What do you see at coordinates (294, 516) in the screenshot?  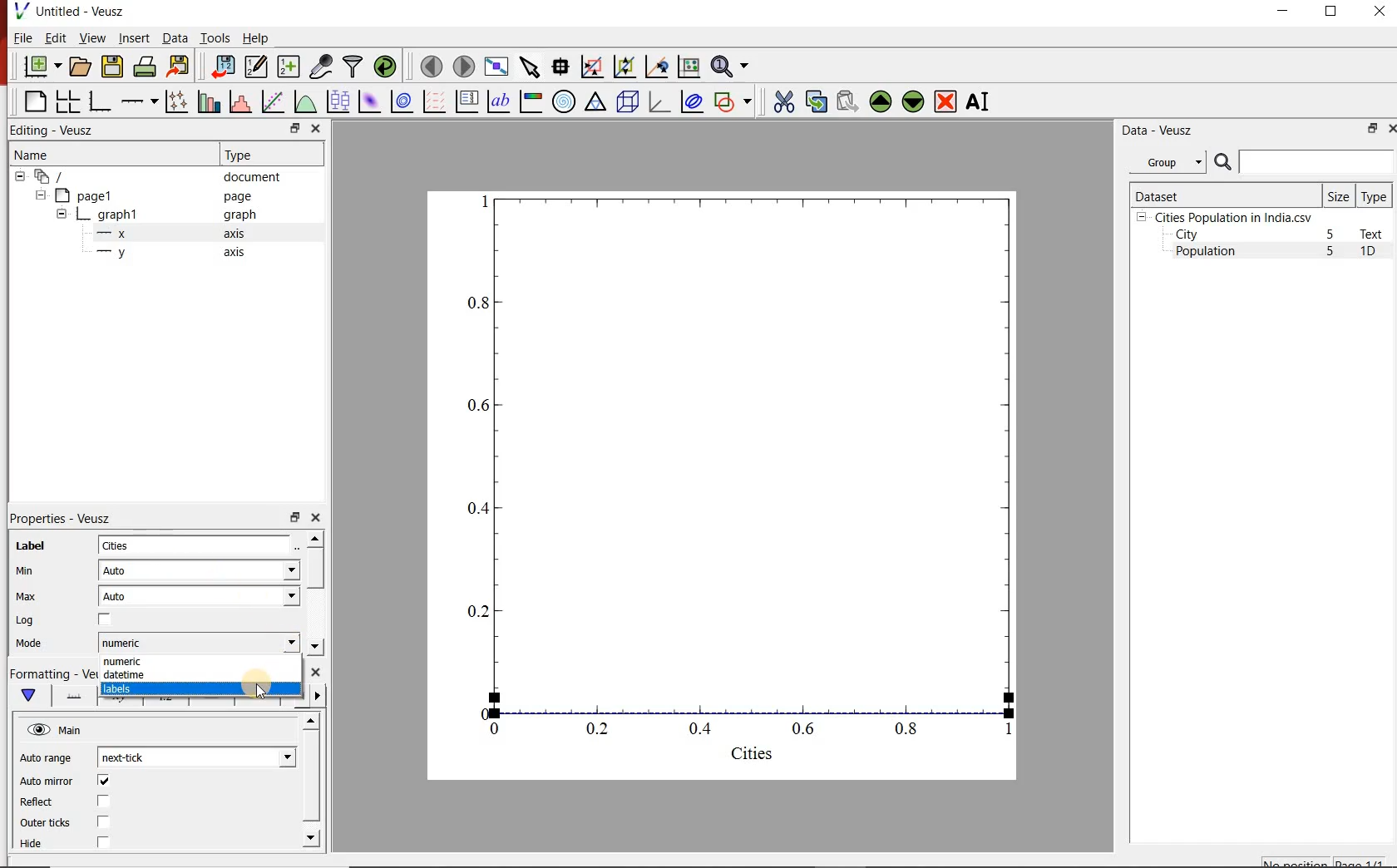 I see `restore` at bounding box center [294, 516].